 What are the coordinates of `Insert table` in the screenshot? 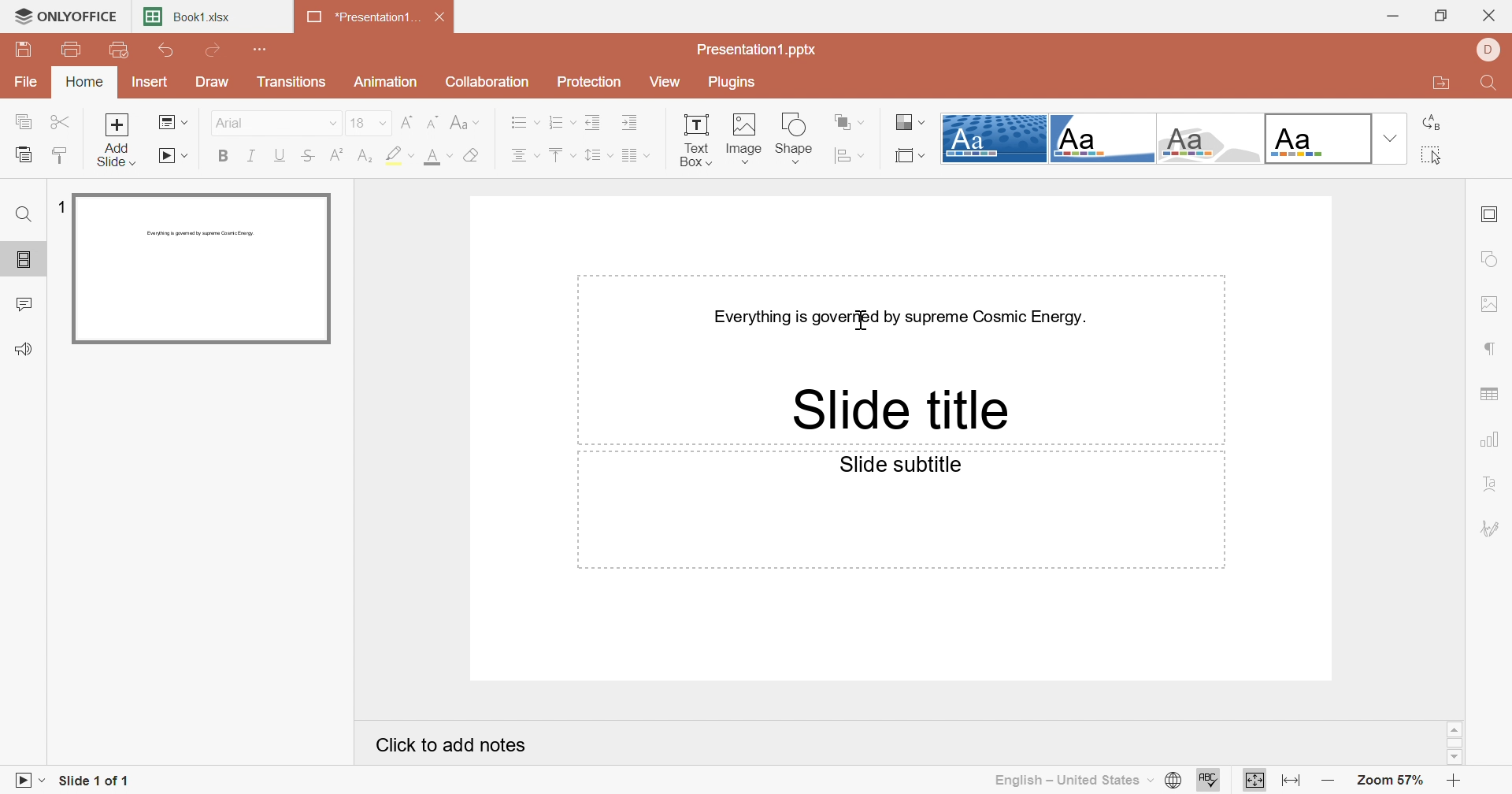 It's located at (1492, 395).